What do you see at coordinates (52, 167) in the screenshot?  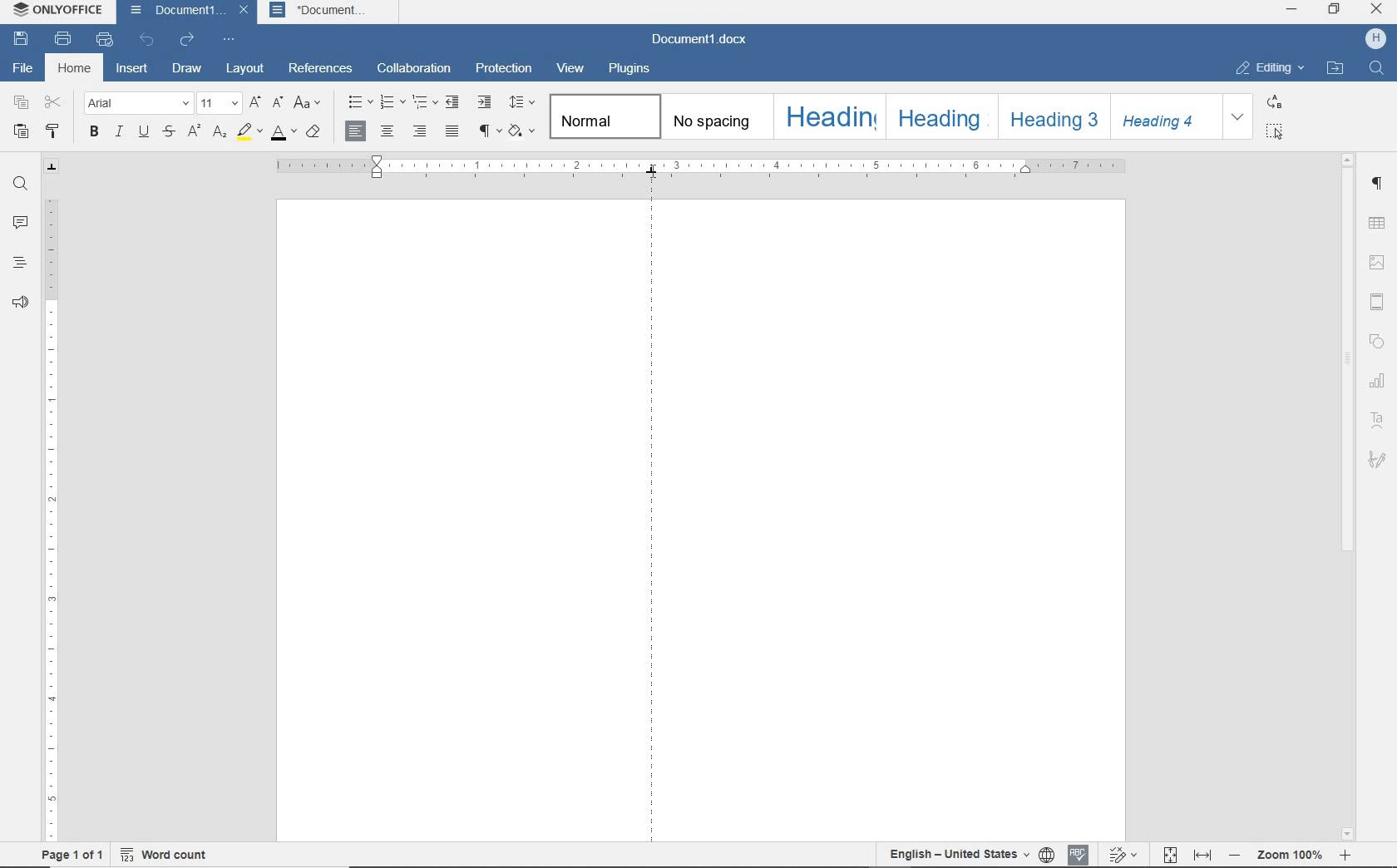 I see `TAB STOP` at bounding box center [52, 167].